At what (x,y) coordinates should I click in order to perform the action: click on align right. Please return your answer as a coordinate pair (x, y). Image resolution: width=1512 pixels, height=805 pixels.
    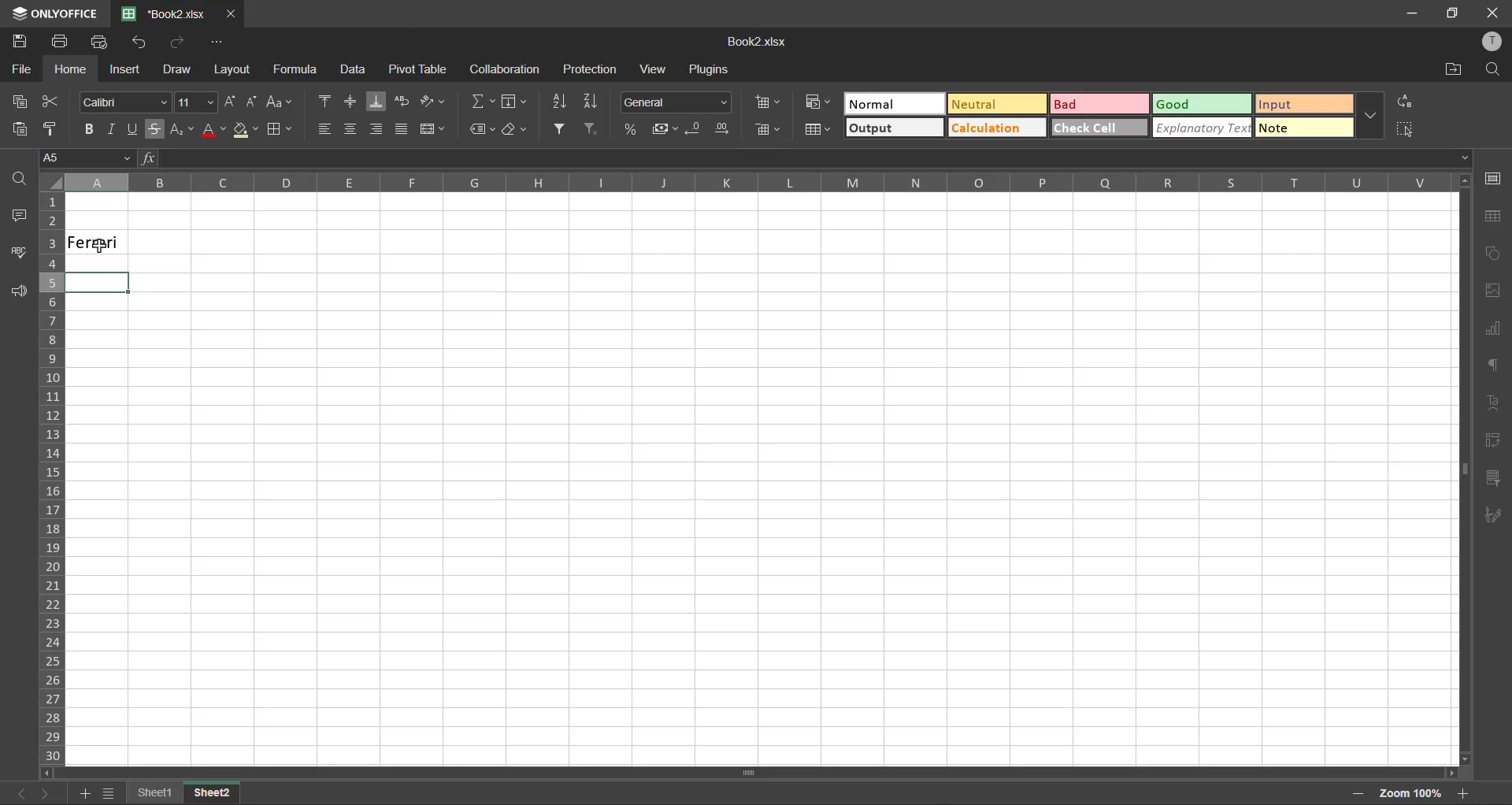
    Looking at the image, I should click on (376, 131).